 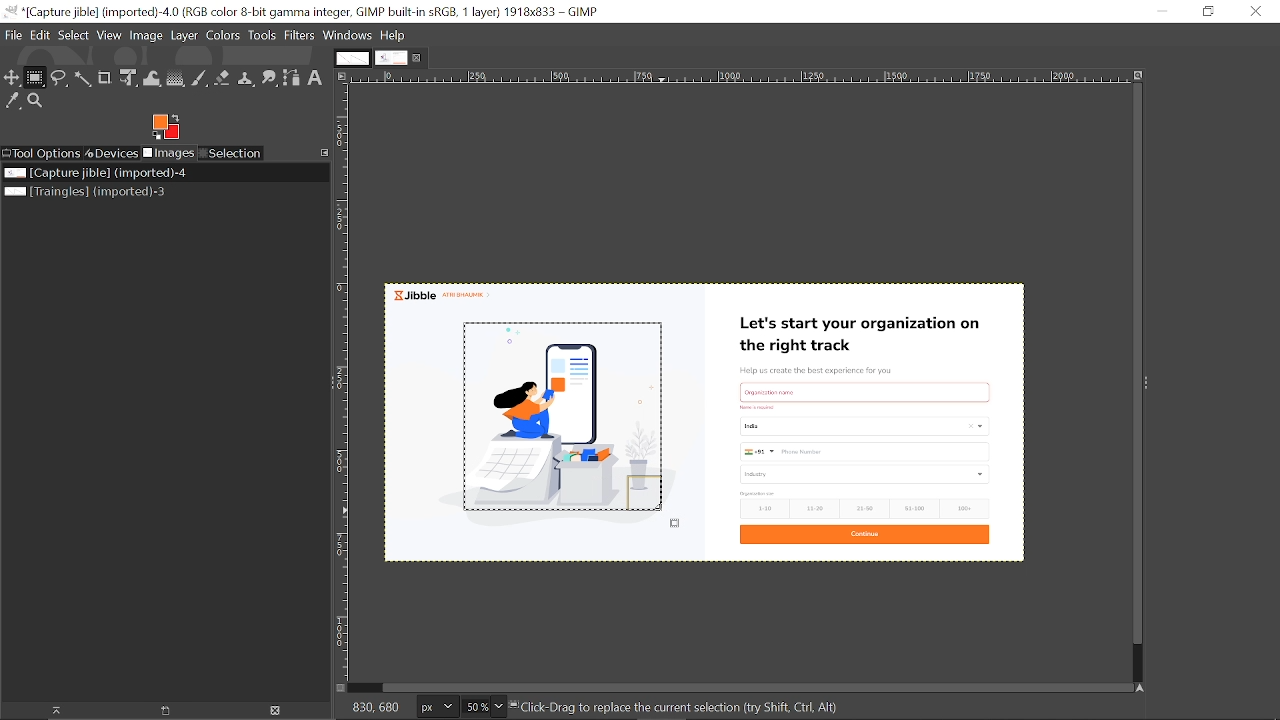 What do you see at coordinates (151, 76) in the screenshot?
I see `wrap text` at bounding box center [151, 76].